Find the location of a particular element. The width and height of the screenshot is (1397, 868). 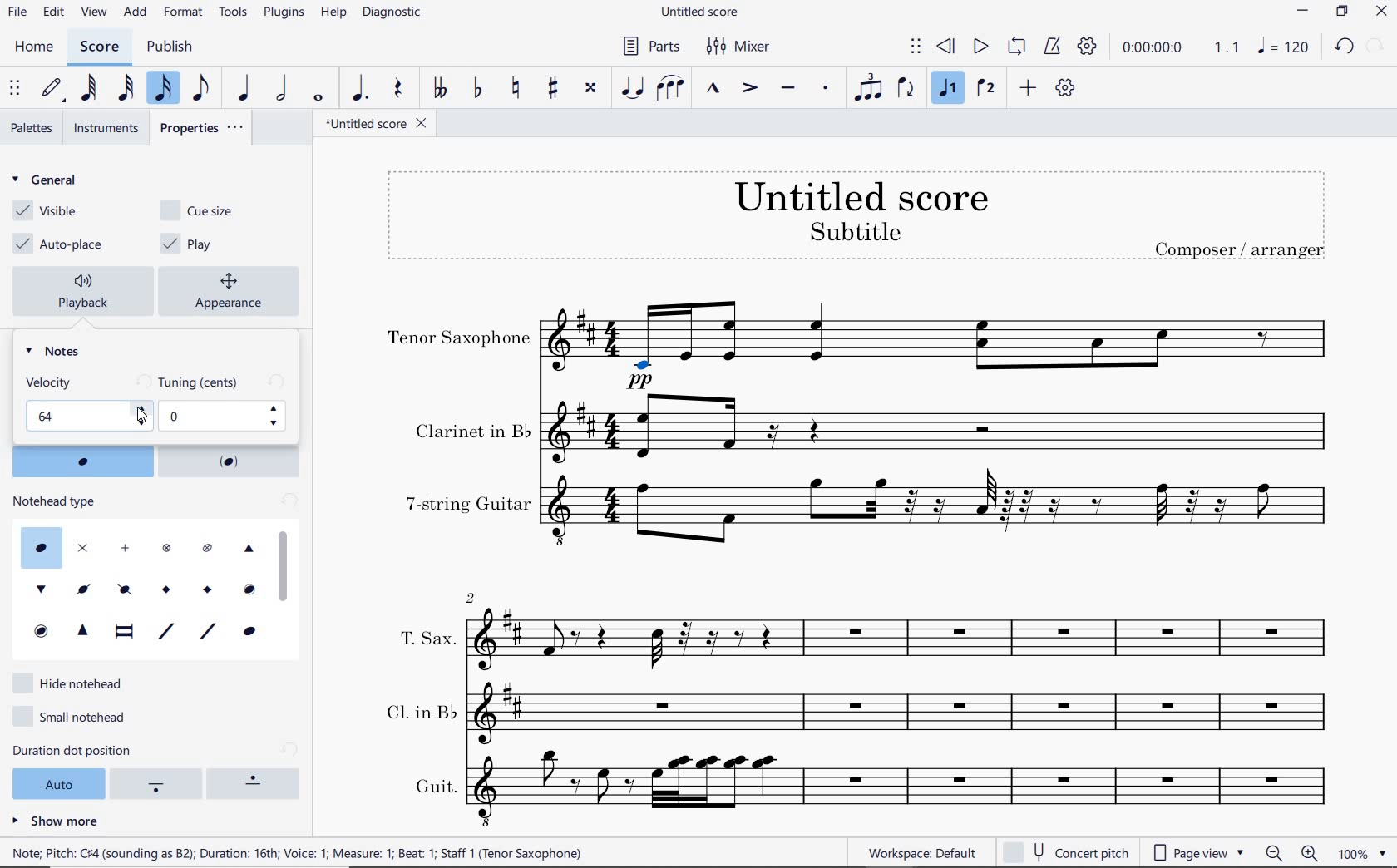

decrease is located at coordinates (141, 423).